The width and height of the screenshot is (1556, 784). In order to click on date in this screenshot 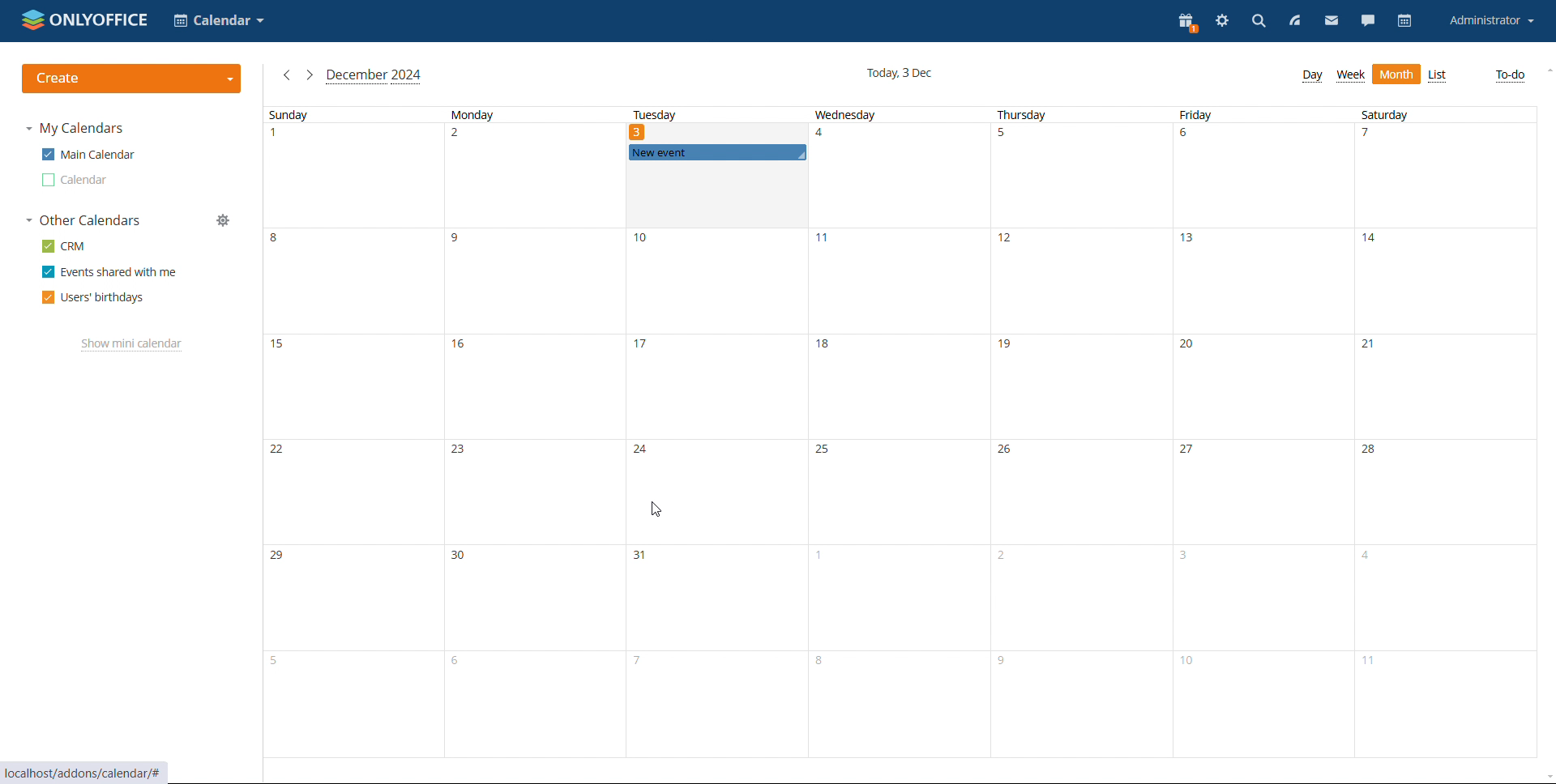, I will do `click(1450, 705)`.